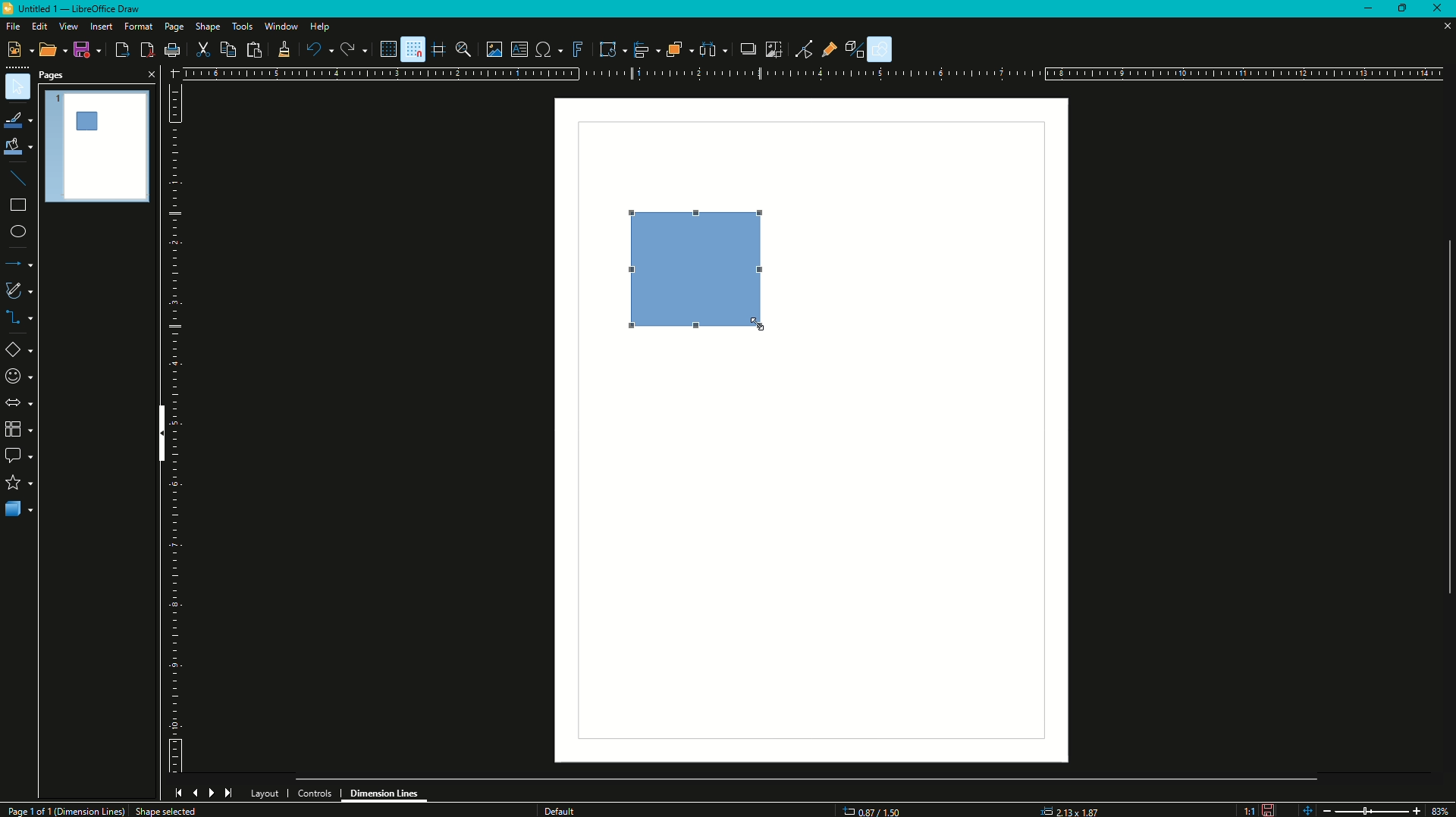 This screenshot has width=1456, height=817. What do you see at coordinates (48, 51) in the screenshot?
I see `Open` at bounding box center [48, 51].